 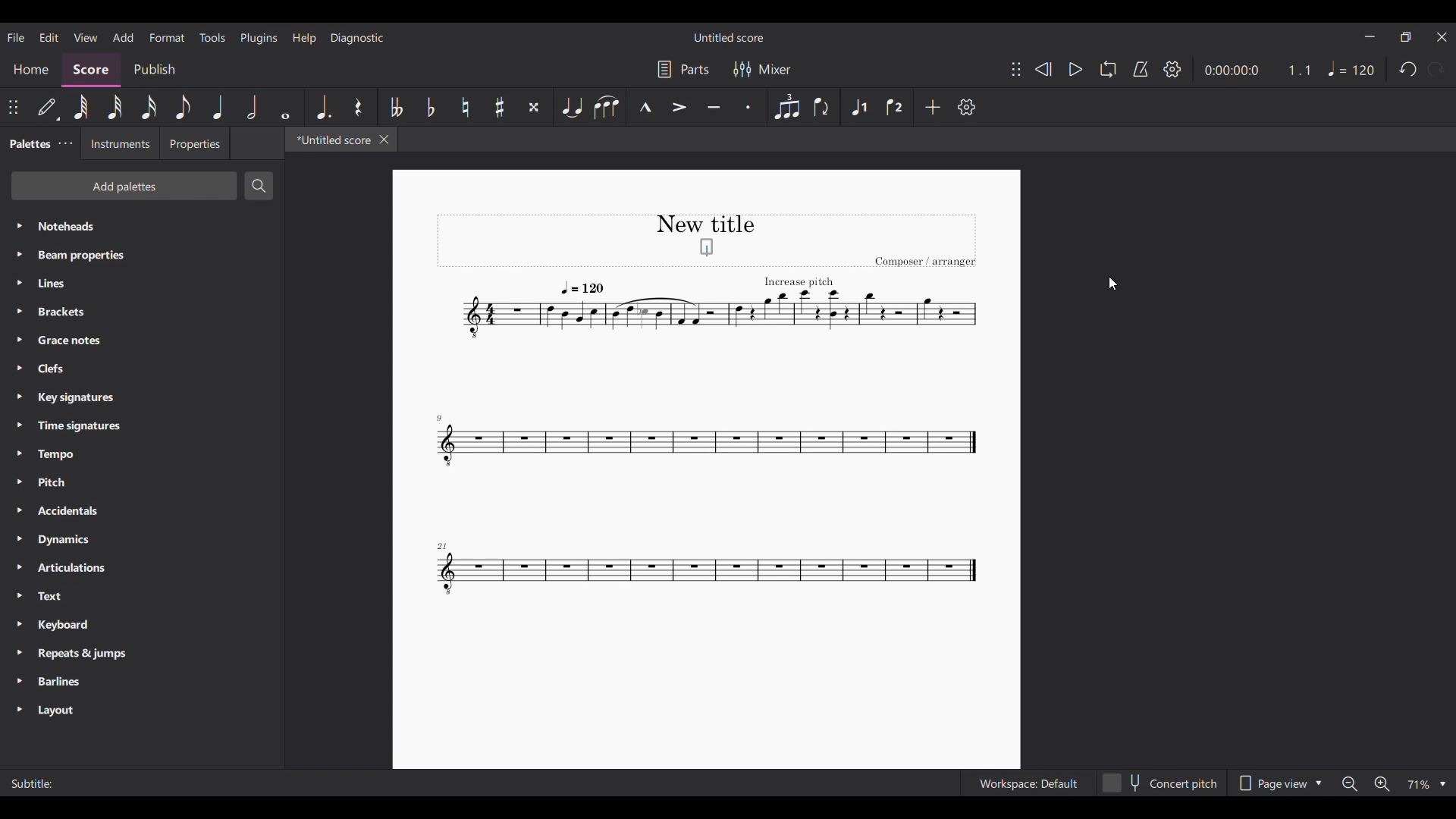 What do you see at coordinates (1141, 69) in the screenshot?
I see `Metronome` at bounding box center [1141, 69].